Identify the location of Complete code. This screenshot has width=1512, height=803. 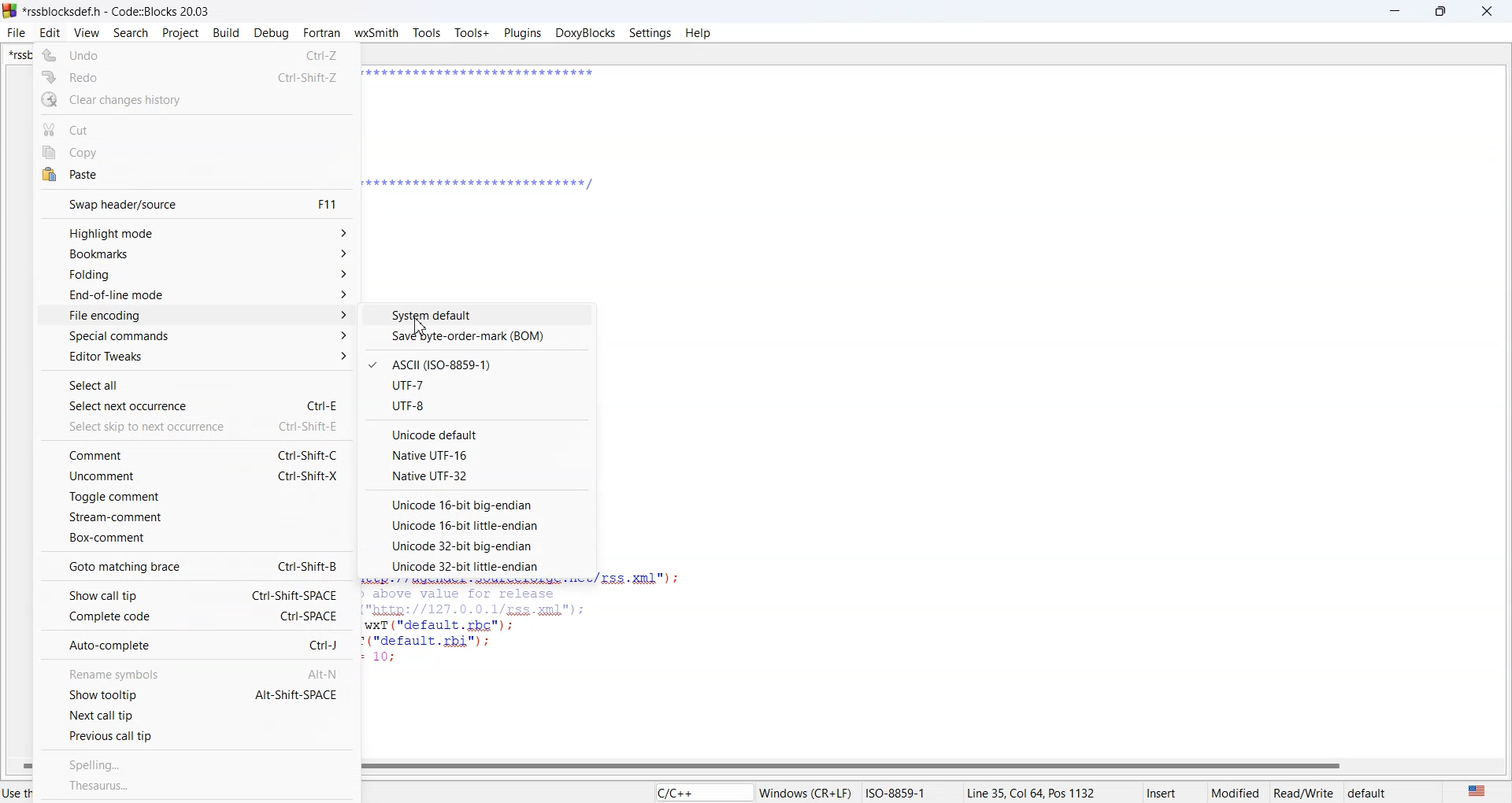
(195, 616).